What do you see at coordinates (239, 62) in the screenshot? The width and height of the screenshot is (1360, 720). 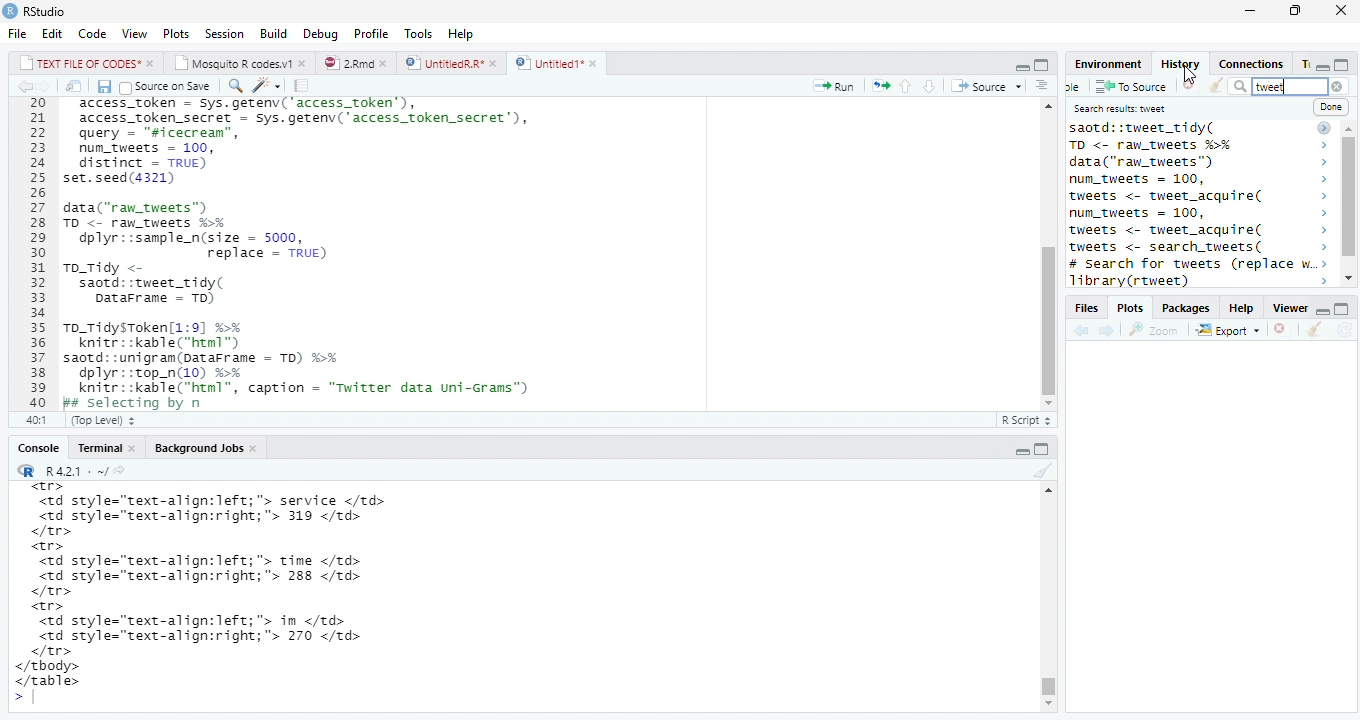 I see `| Mosauito R codes.y!` at bounding box center [239, 62].